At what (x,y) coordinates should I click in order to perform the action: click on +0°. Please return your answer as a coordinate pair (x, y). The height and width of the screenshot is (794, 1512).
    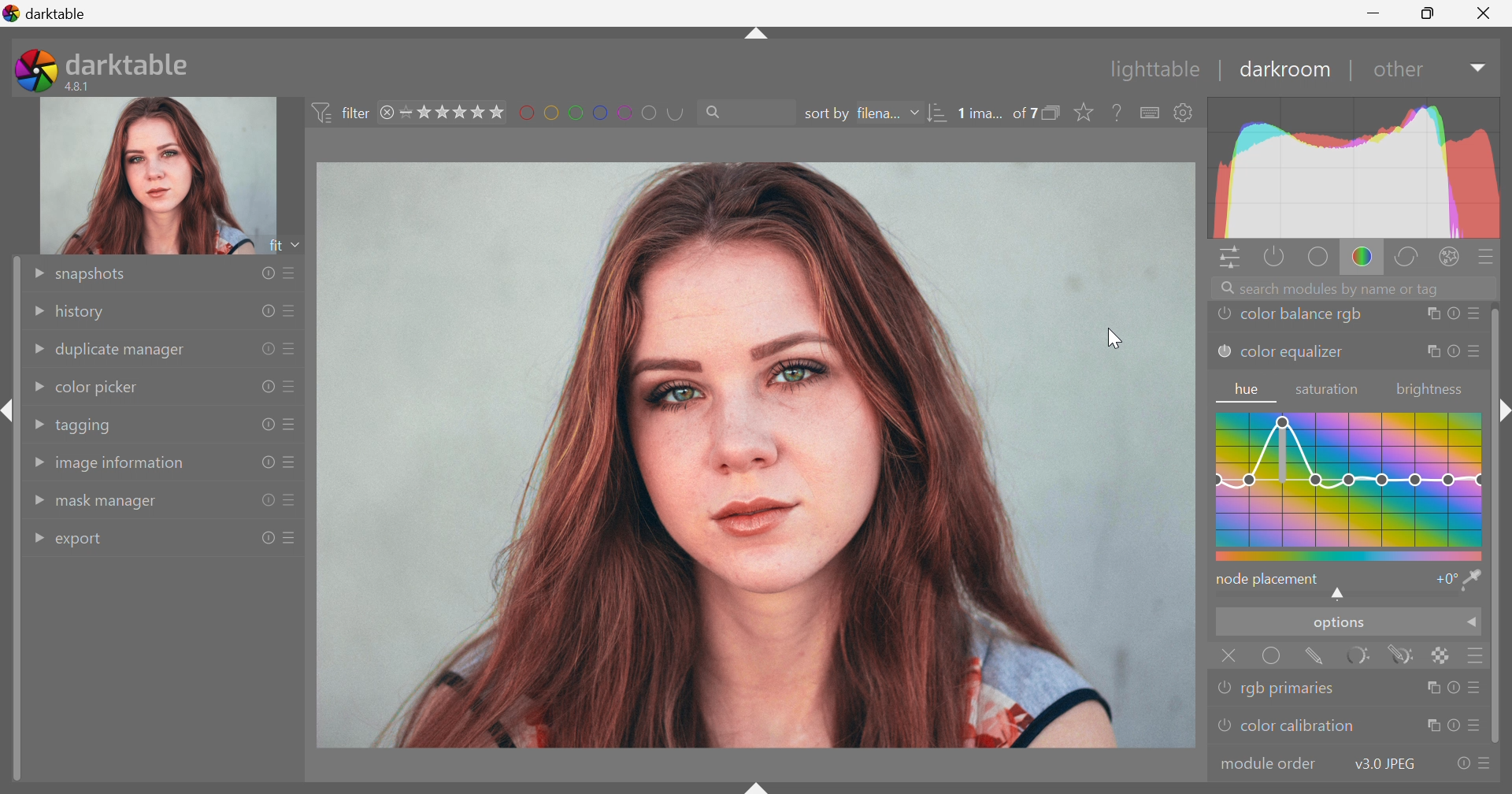
    Looking at the image, I should click on (1443, 581).